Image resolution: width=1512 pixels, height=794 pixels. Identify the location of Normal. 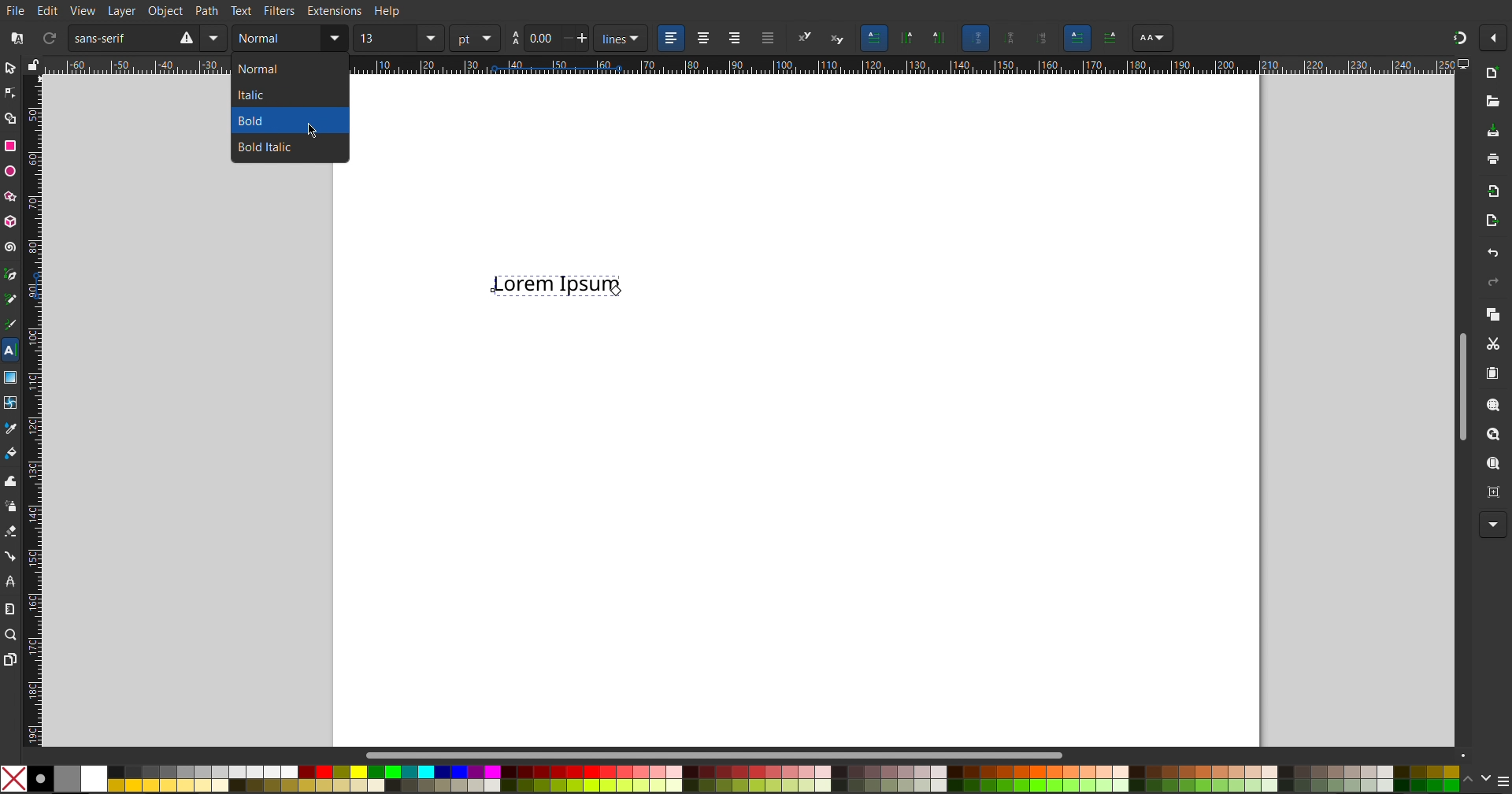
(283, 69).